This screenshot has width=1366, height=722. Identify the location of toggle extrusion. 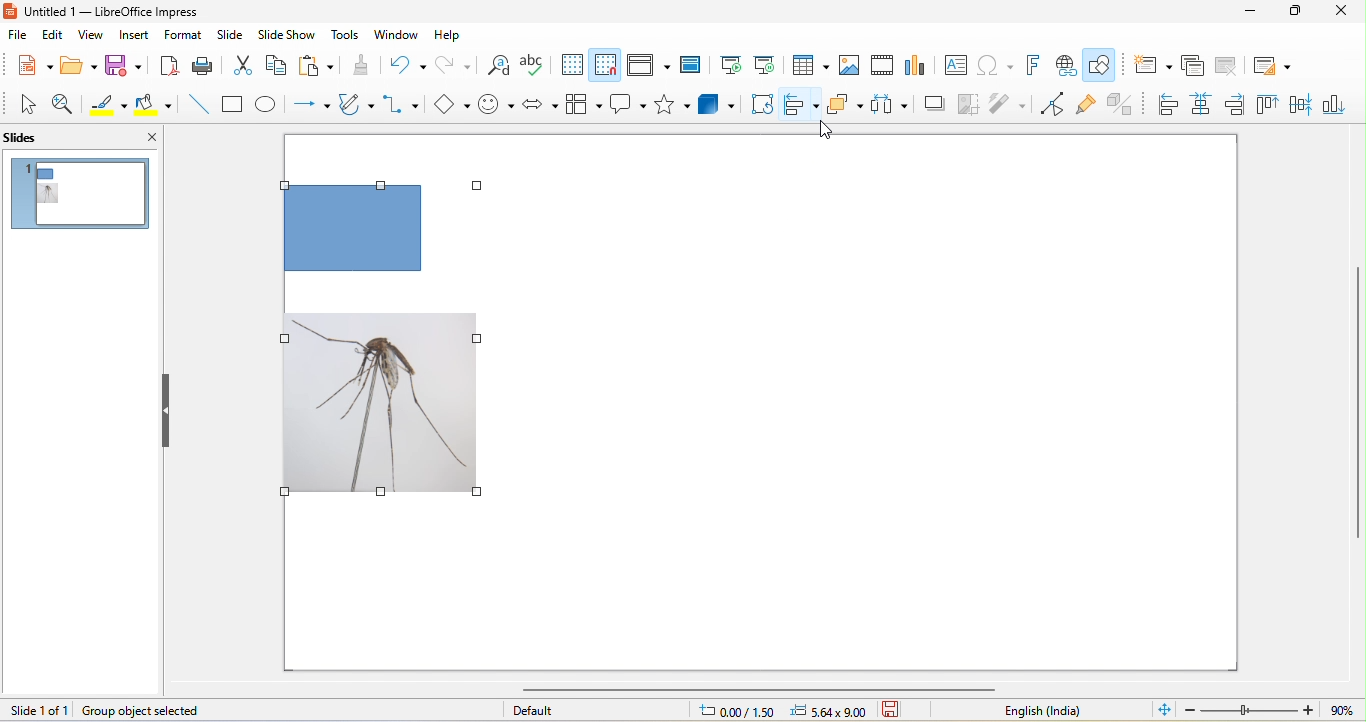
(1127, 104).